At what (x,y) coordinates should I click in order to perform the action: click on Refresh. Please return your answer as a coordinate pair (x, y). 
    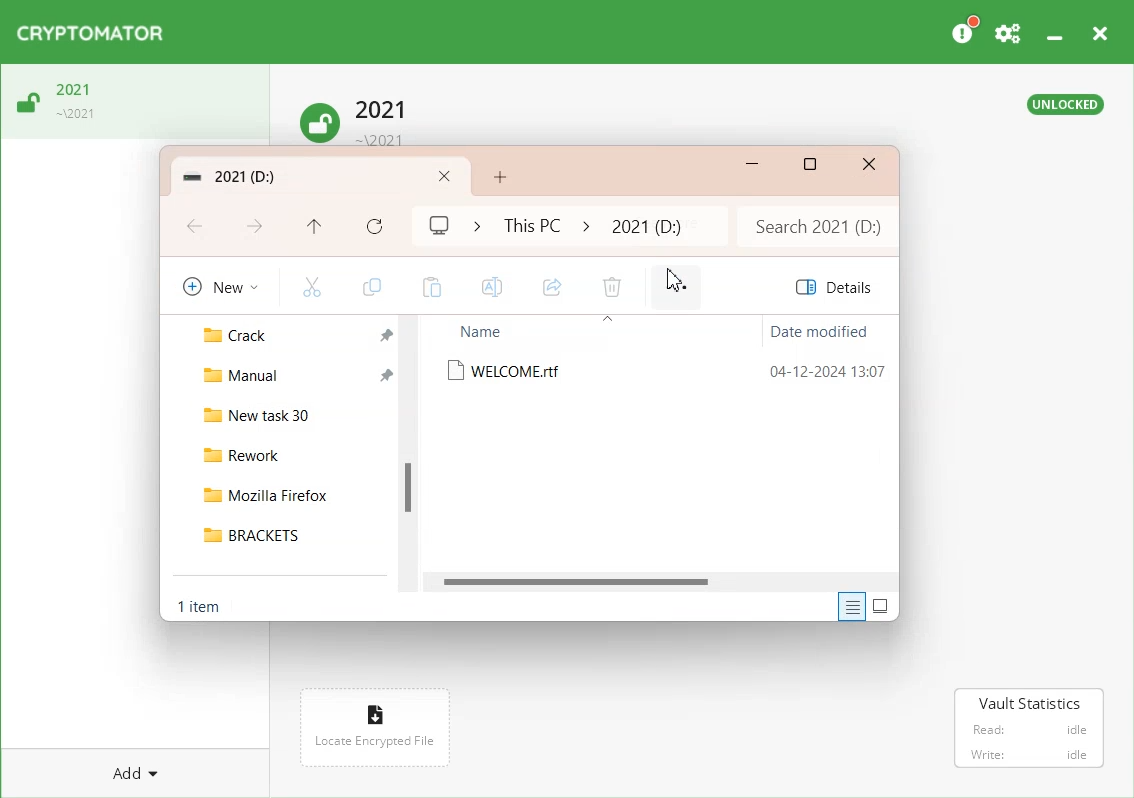
    Looking at the image, I should click on (375, 226).